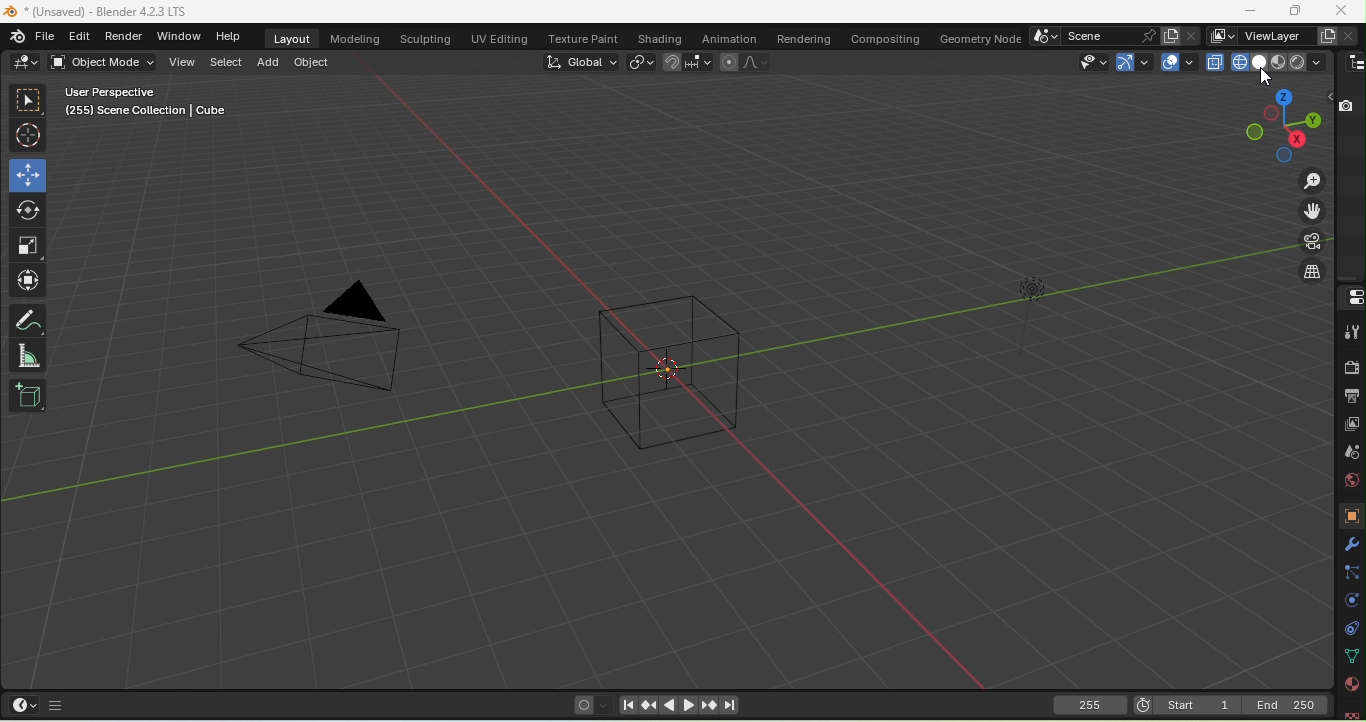  Describe the element at coordinates (1312, 121) in the screenshot. I see `Rotate the view` at that location.